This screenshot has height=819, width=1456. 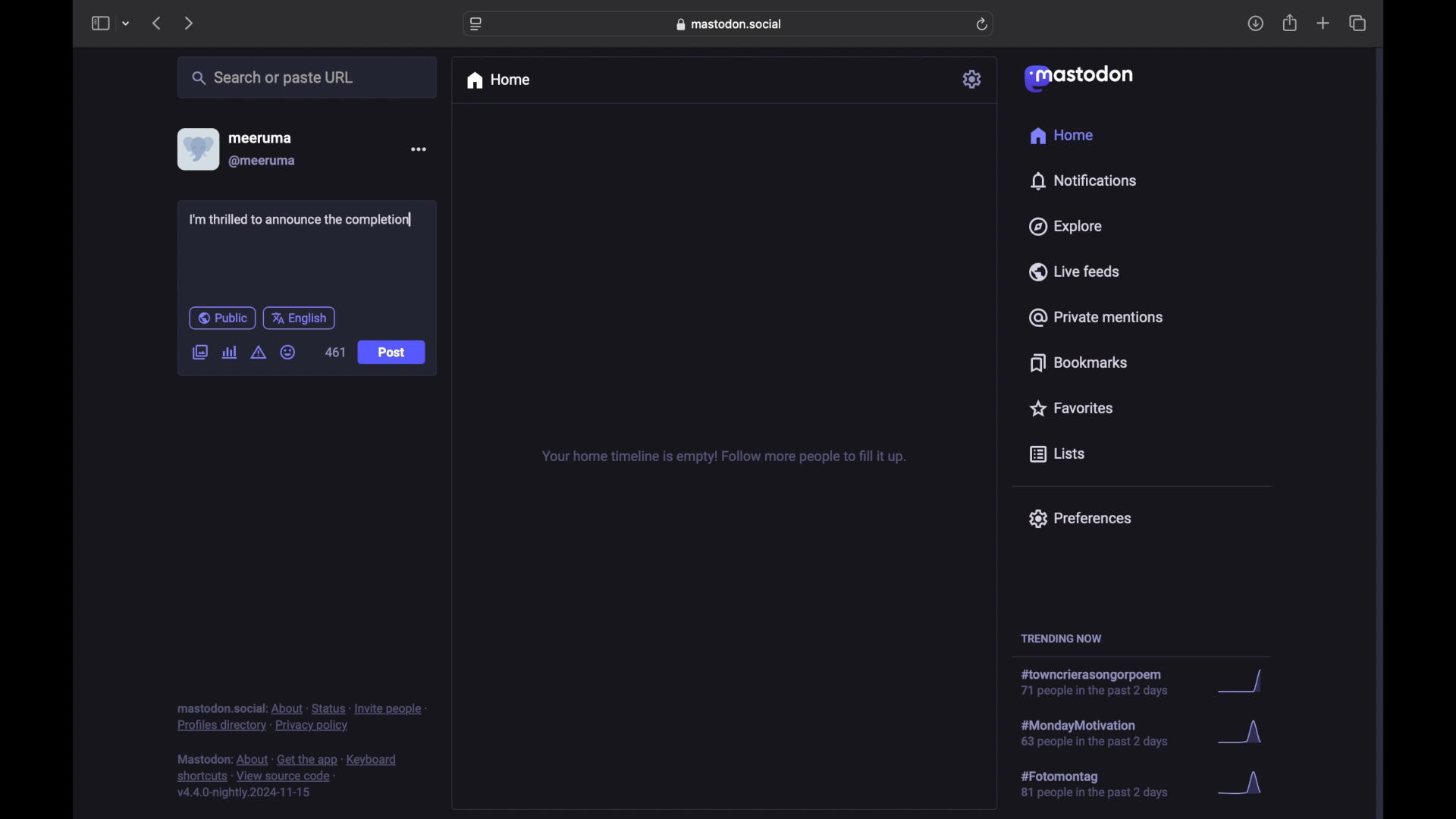 What do you see at coordinates (1095, 317) in the screenshot?
I see `private mentions` at bounding box center [1095, 317].